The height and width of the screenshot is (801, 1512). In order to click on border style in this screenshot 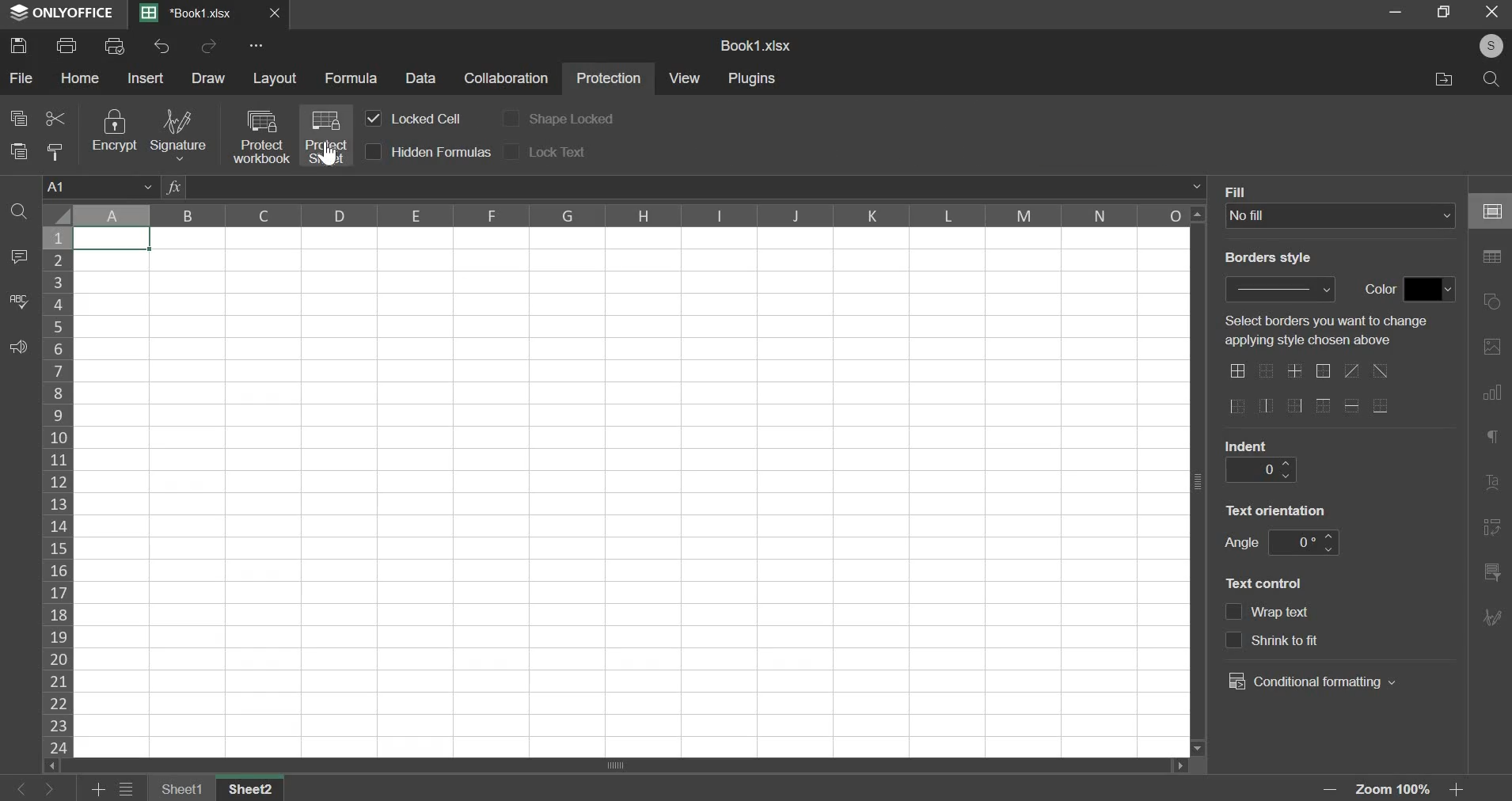, I will do `click(1282, 288)`.